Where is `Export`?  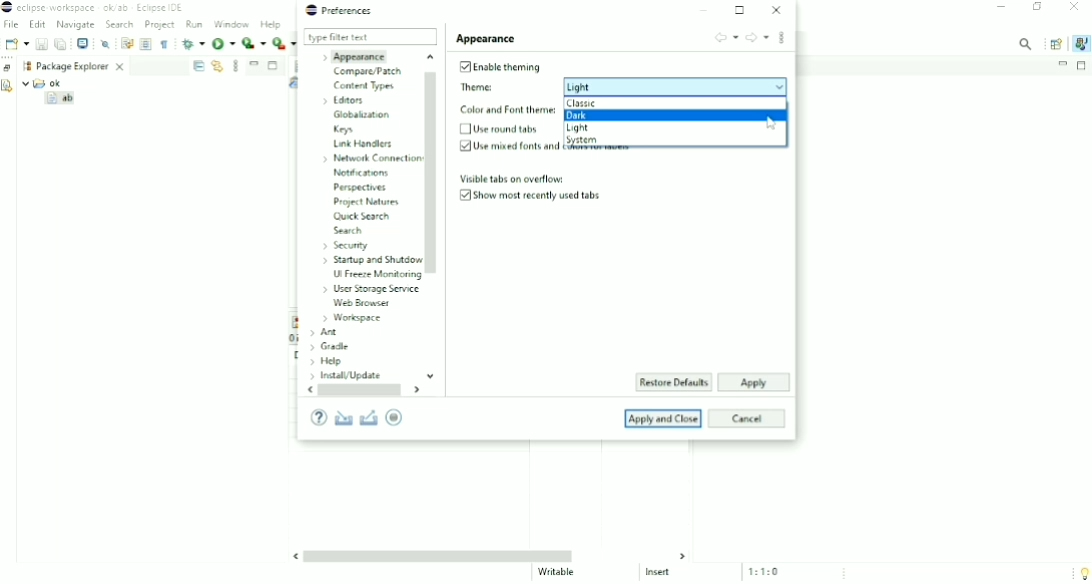
Export is located at coordinates (370, 417).